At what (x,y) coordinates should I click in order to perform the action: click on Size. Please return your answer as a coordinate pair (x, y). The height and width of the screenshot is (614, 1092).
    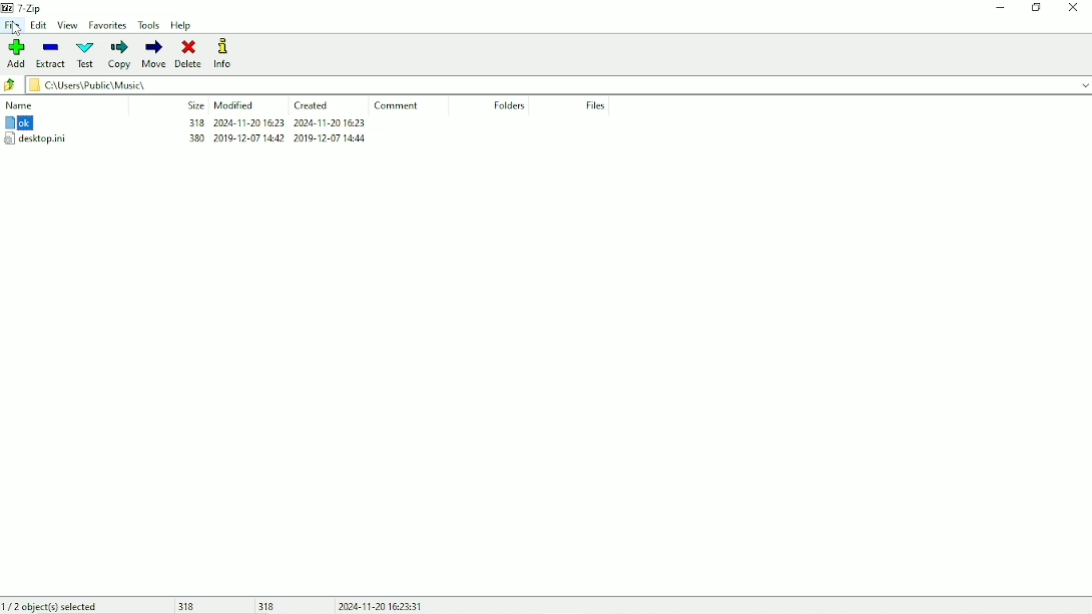
    Looking at the image, I should click on (196, 106).